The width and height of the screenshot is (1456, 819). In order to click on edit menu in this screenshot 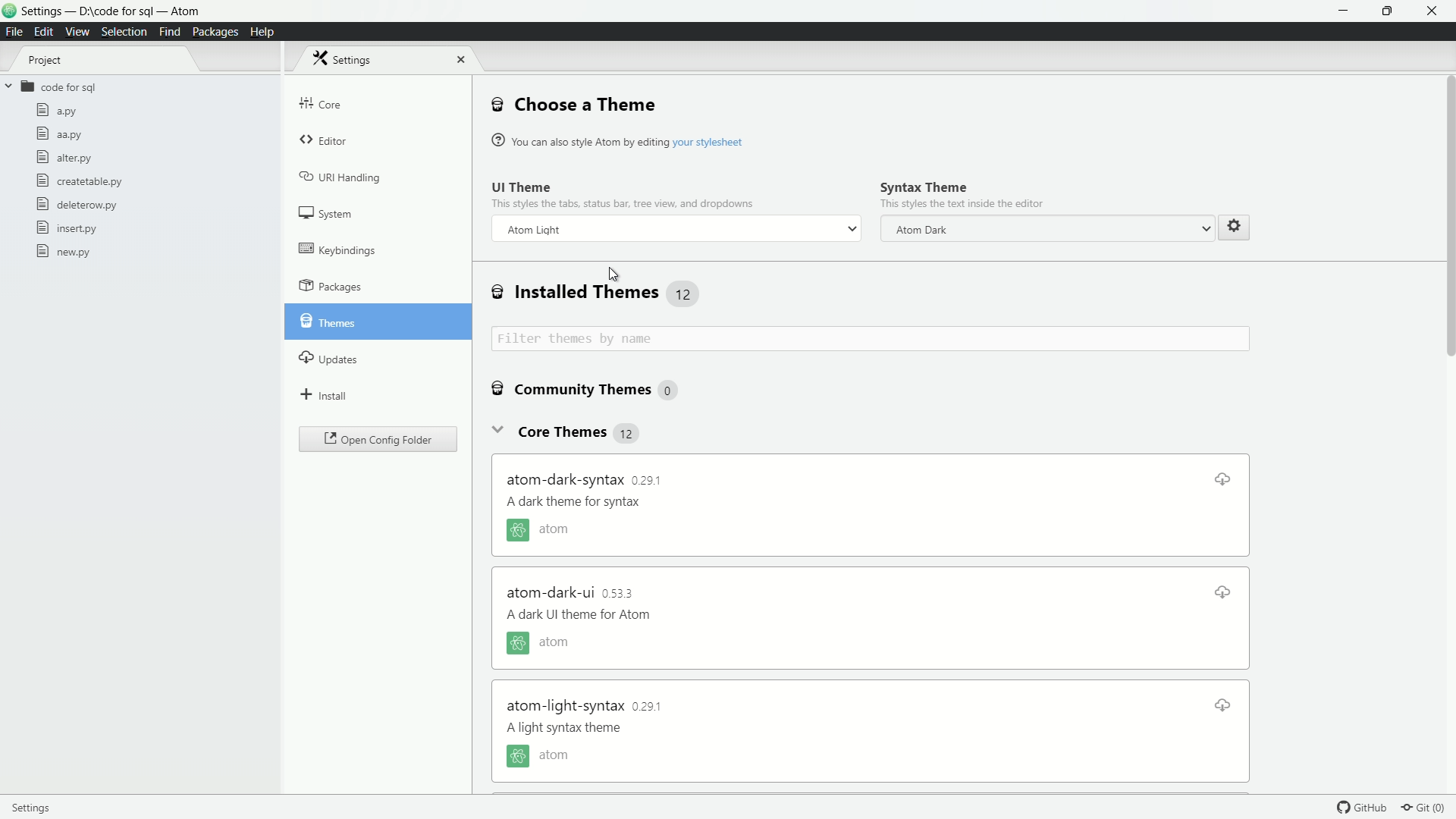, I will do `click(44, 30)`.